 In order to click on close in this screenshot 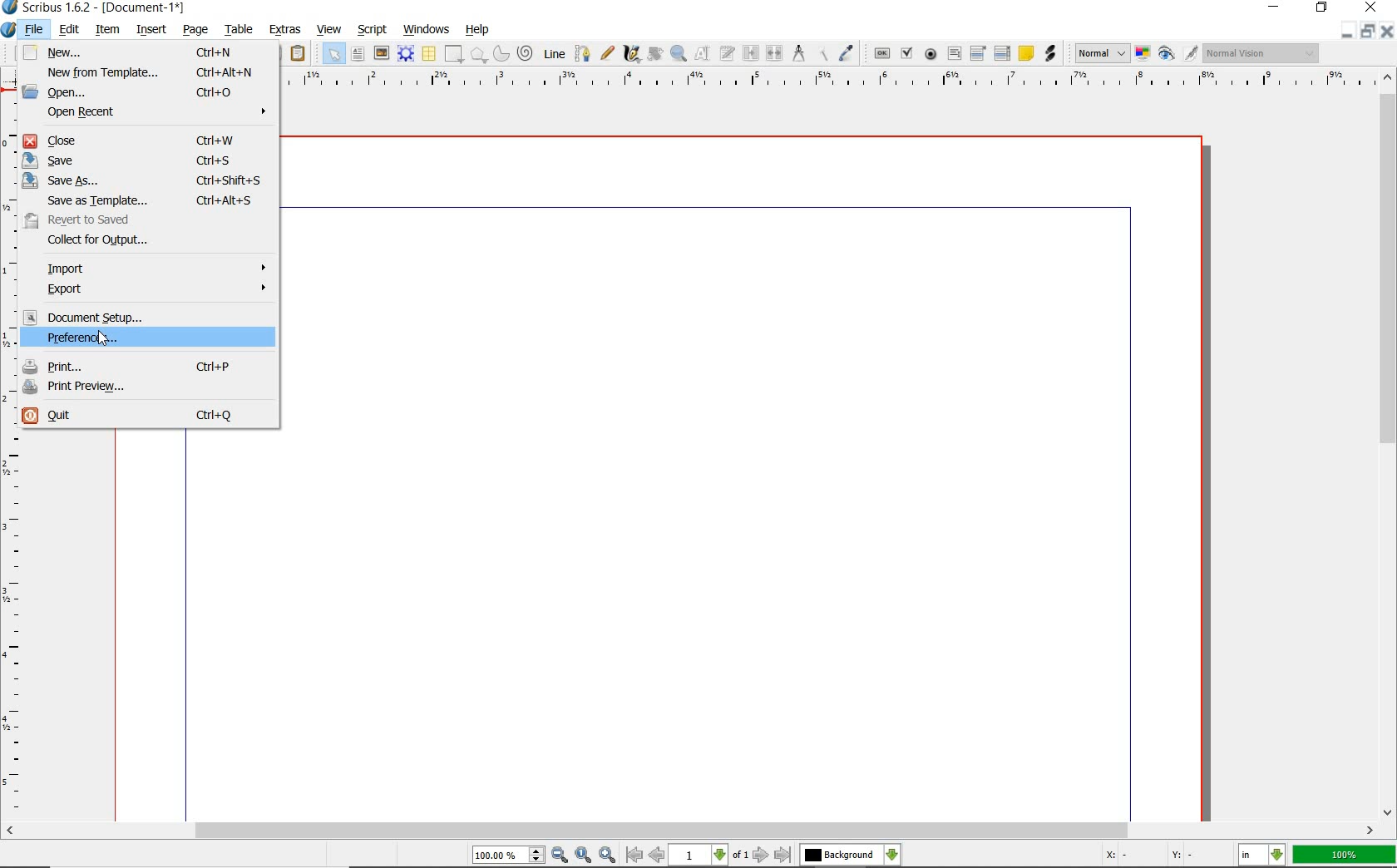, I will do `click(1387, 32)`.